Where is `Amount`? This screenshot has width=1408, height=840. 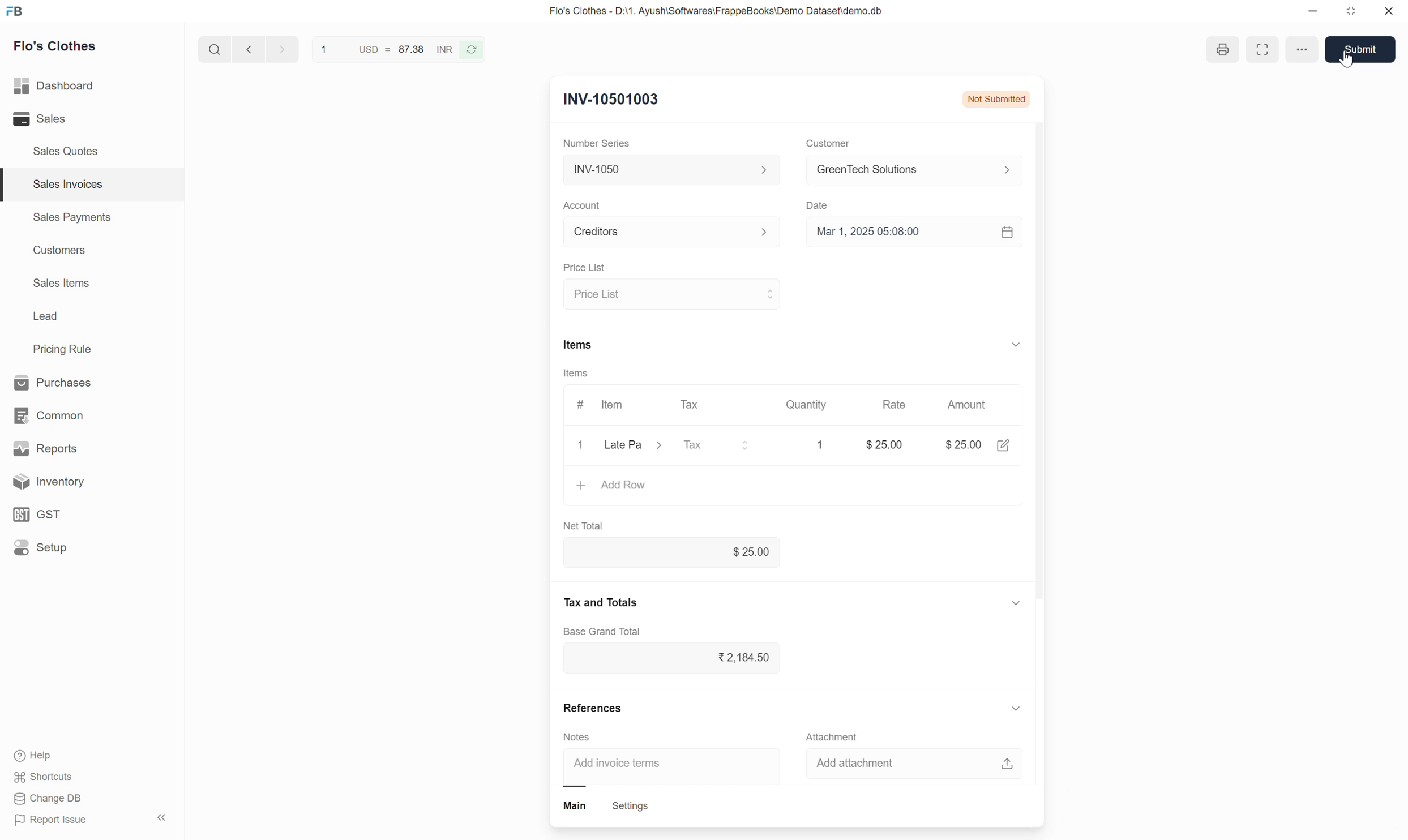 Amount is located at coordinates (966, 405).